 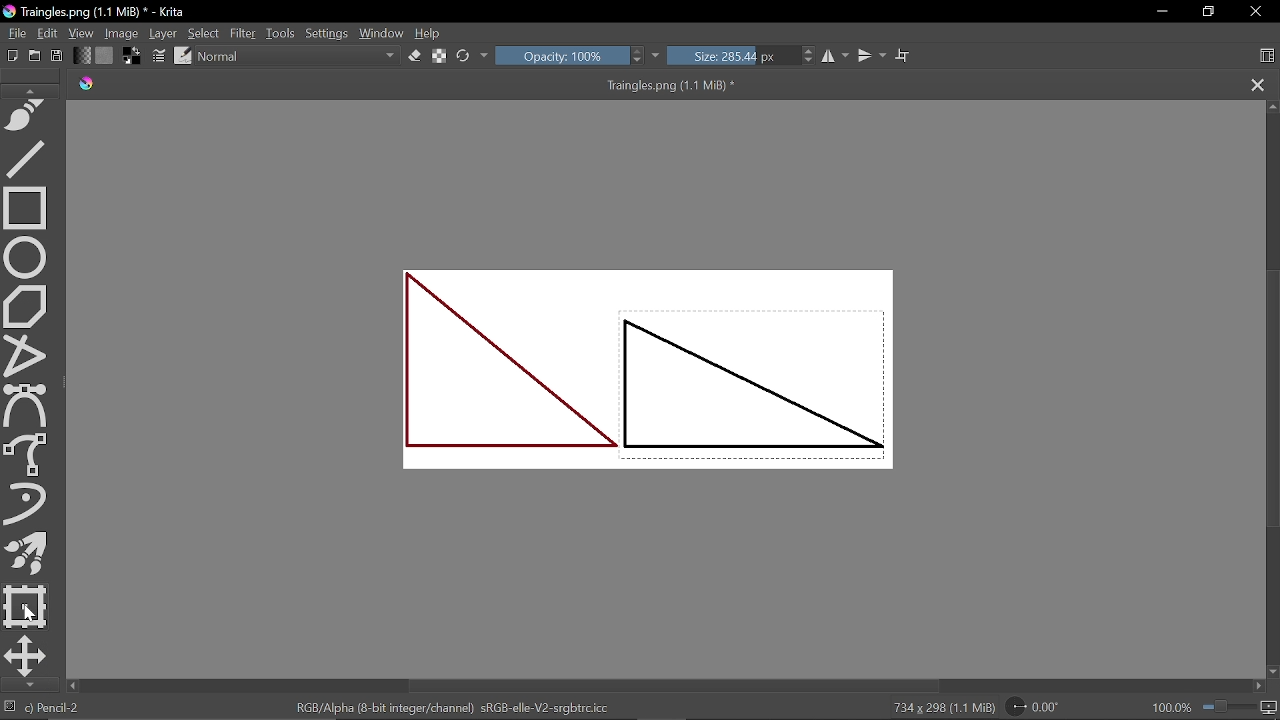 What do you see at coordinates (670, 376) in the screenshot?
I see `Two triangles` at bounding box center [670, 376].